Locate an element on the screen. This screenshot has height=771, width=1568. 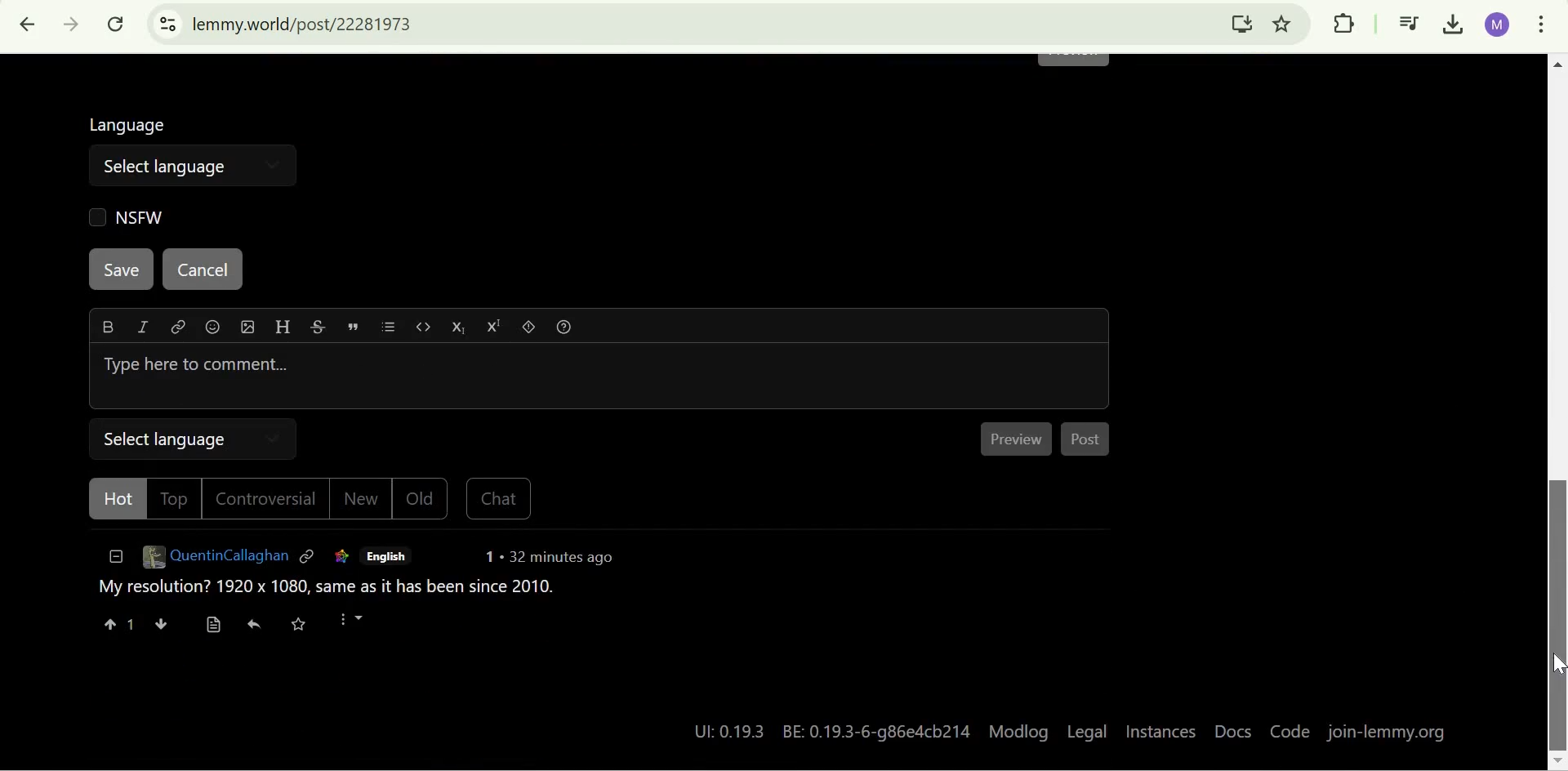
View site information is located at coordinates (167, 25).